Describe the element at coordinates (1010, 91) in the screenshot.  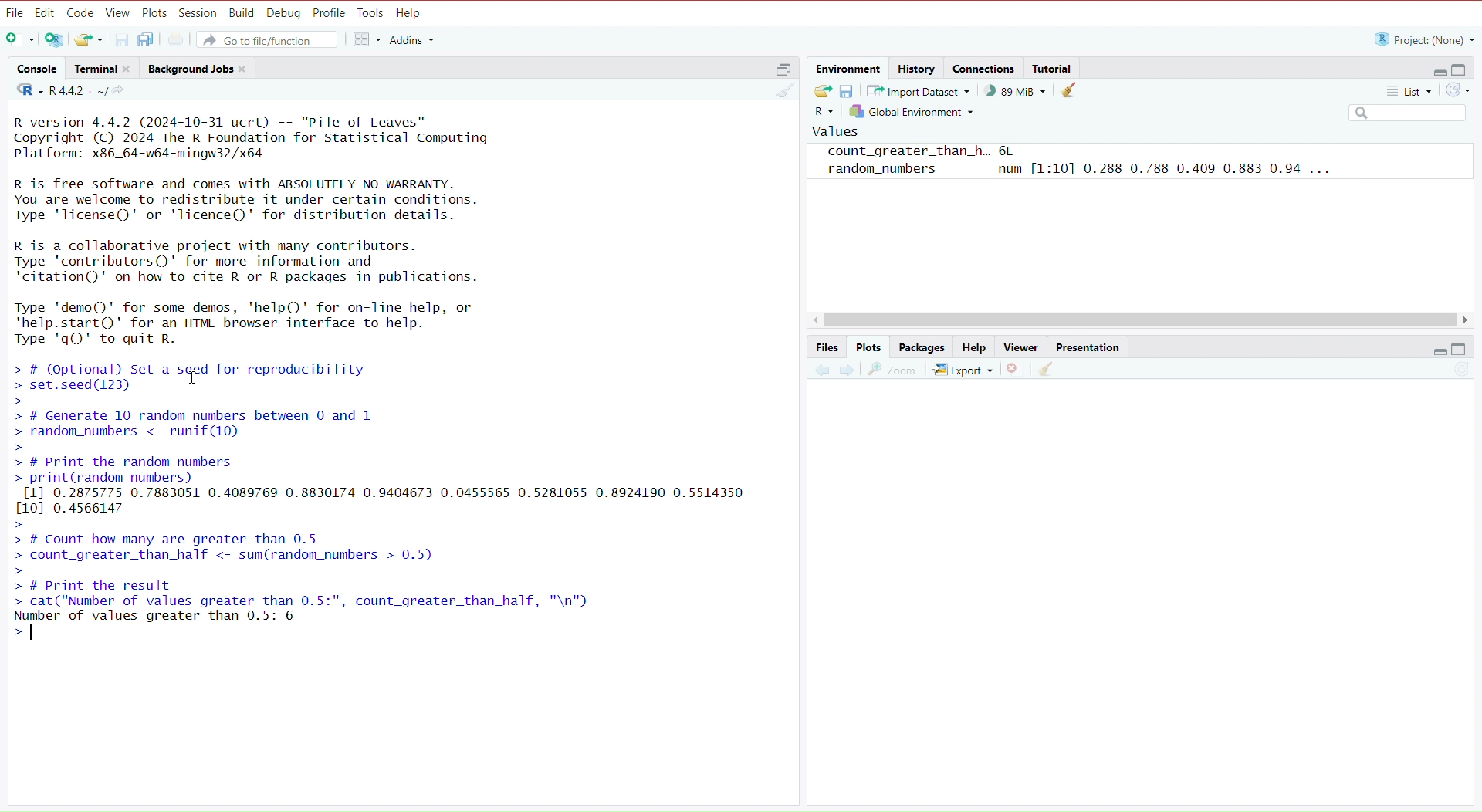
I see `) 88 MiB ~` at that location.